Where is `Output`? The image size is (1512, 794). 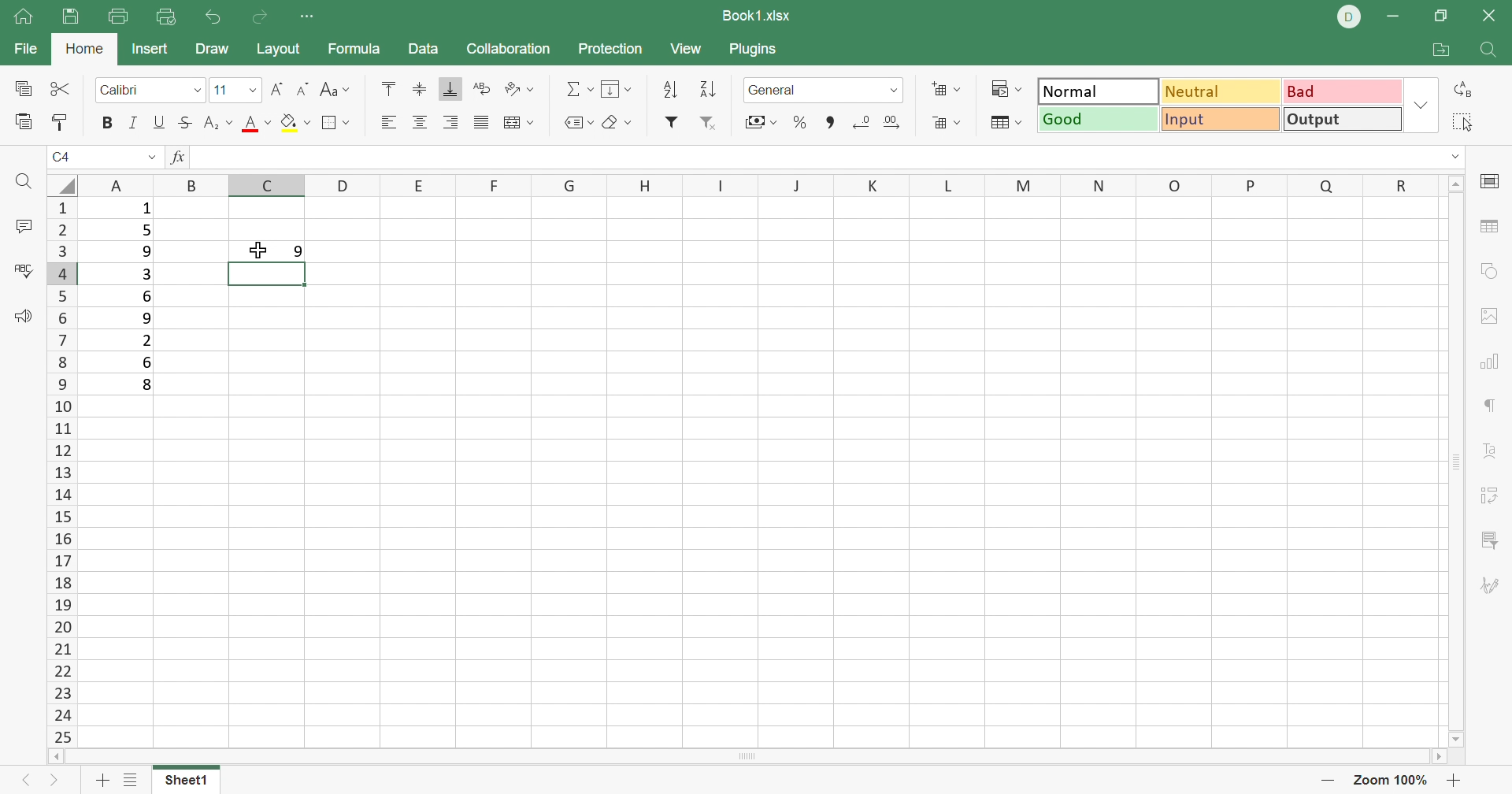
Output is located at coordinates (1343, 120).